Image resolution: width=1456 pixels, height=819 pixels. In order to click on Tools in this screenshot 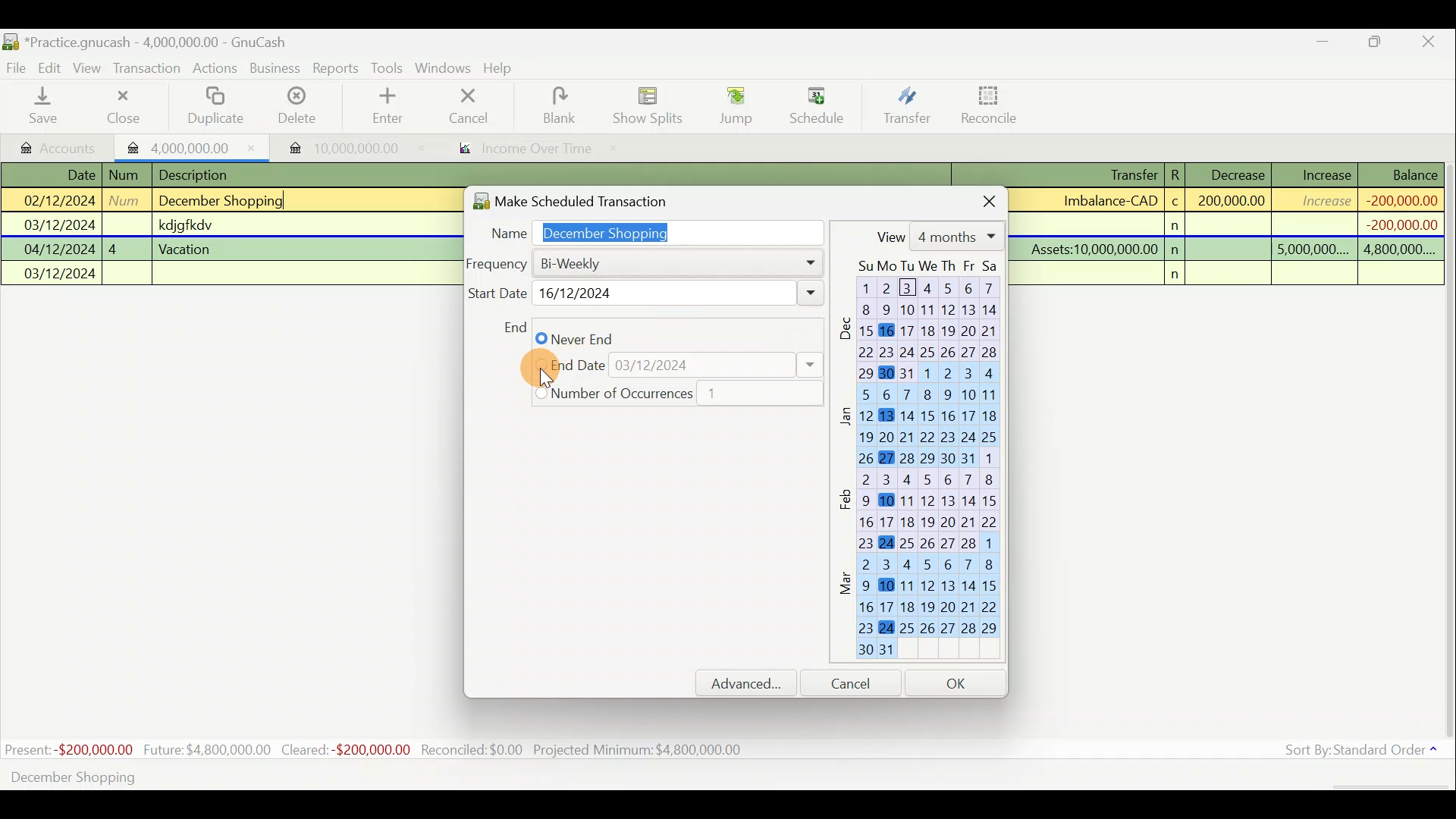, I will do `click(389, 68)`.